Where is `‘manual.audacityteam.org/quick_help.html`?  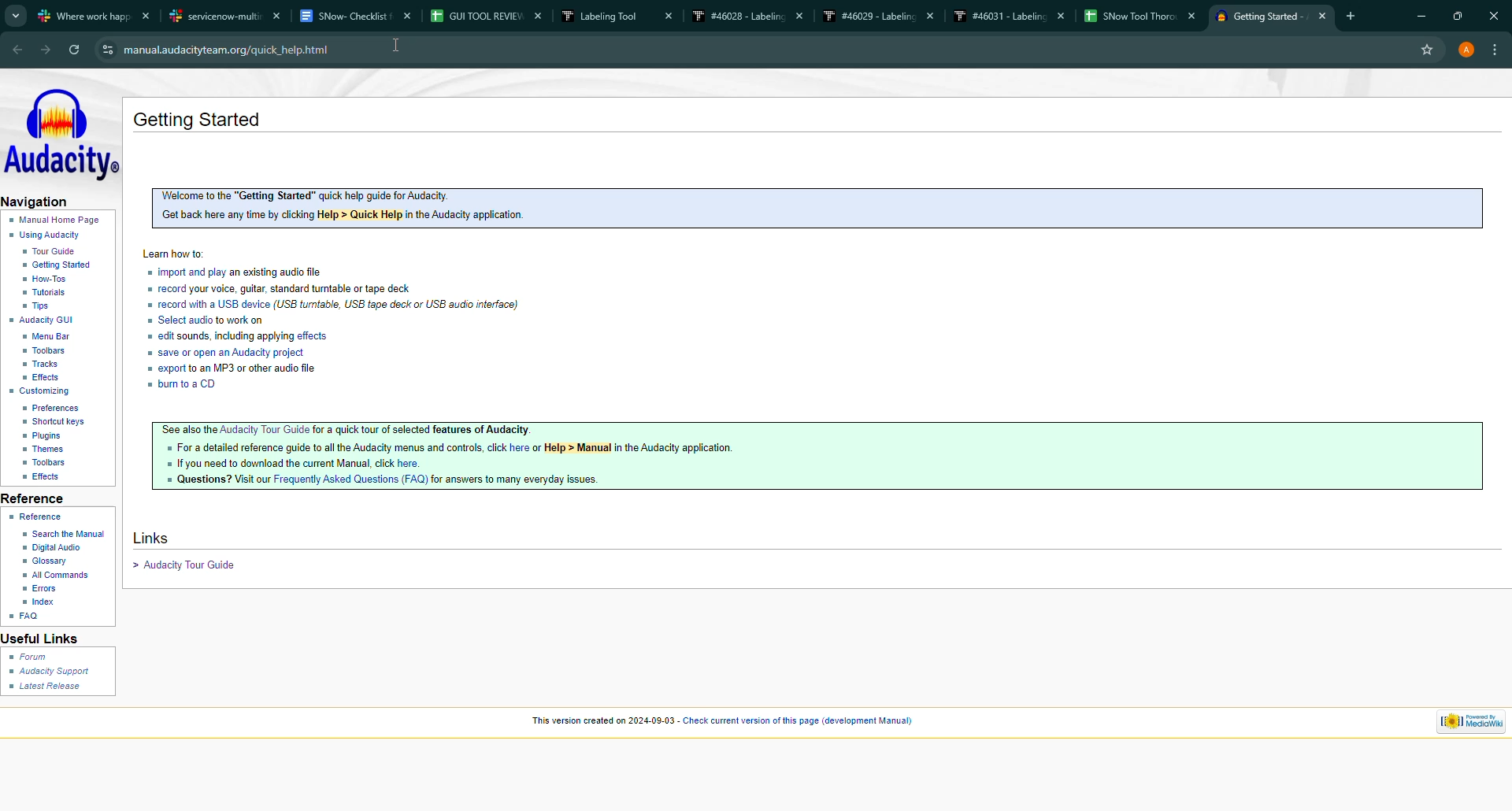
‘manual.audacityteam.org/quick_help.html is located at coordinates (226, 50).